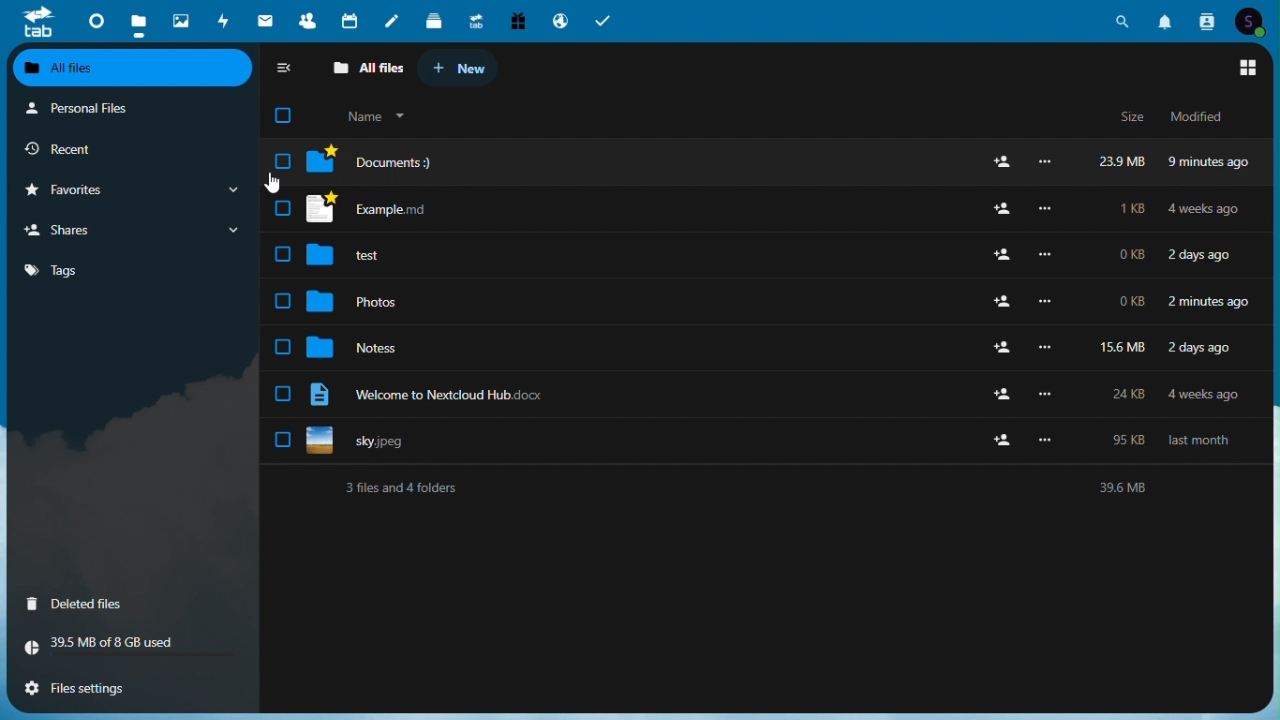  Describe the element at coordinates (282, 255) in the screenshot. I see `select` at that location.